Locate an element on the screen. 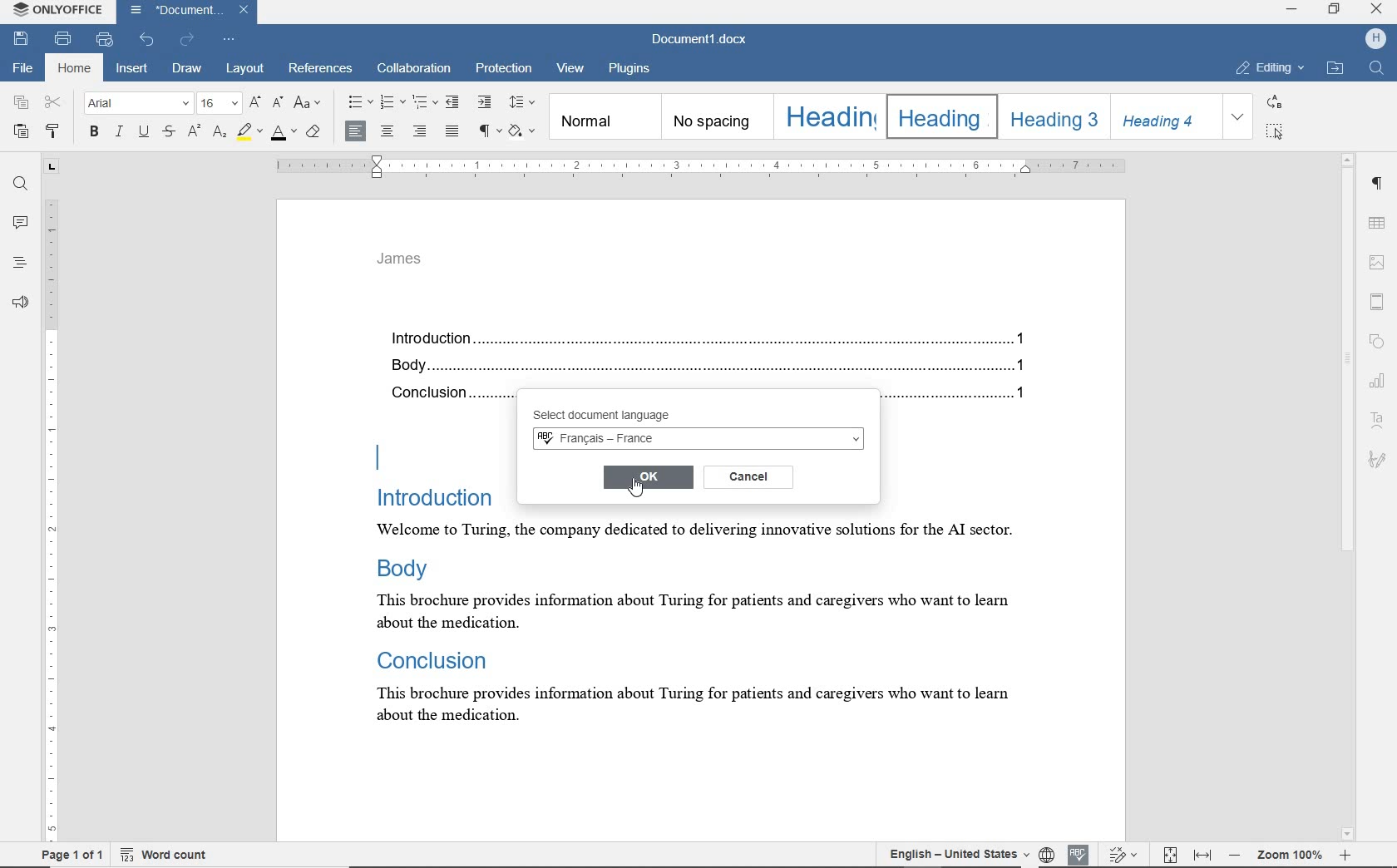 This screenshot has width=1397, height=868. plugins is located at coordinates (629, 69).